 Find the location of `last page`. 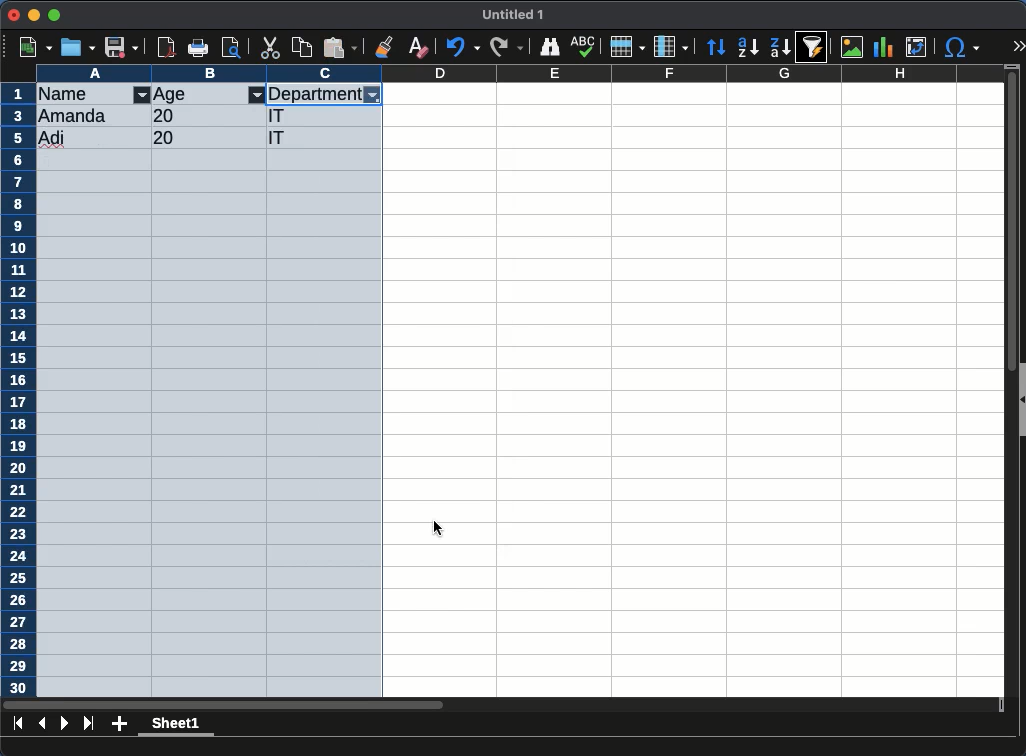

last page is located at coordinates (88, 725).